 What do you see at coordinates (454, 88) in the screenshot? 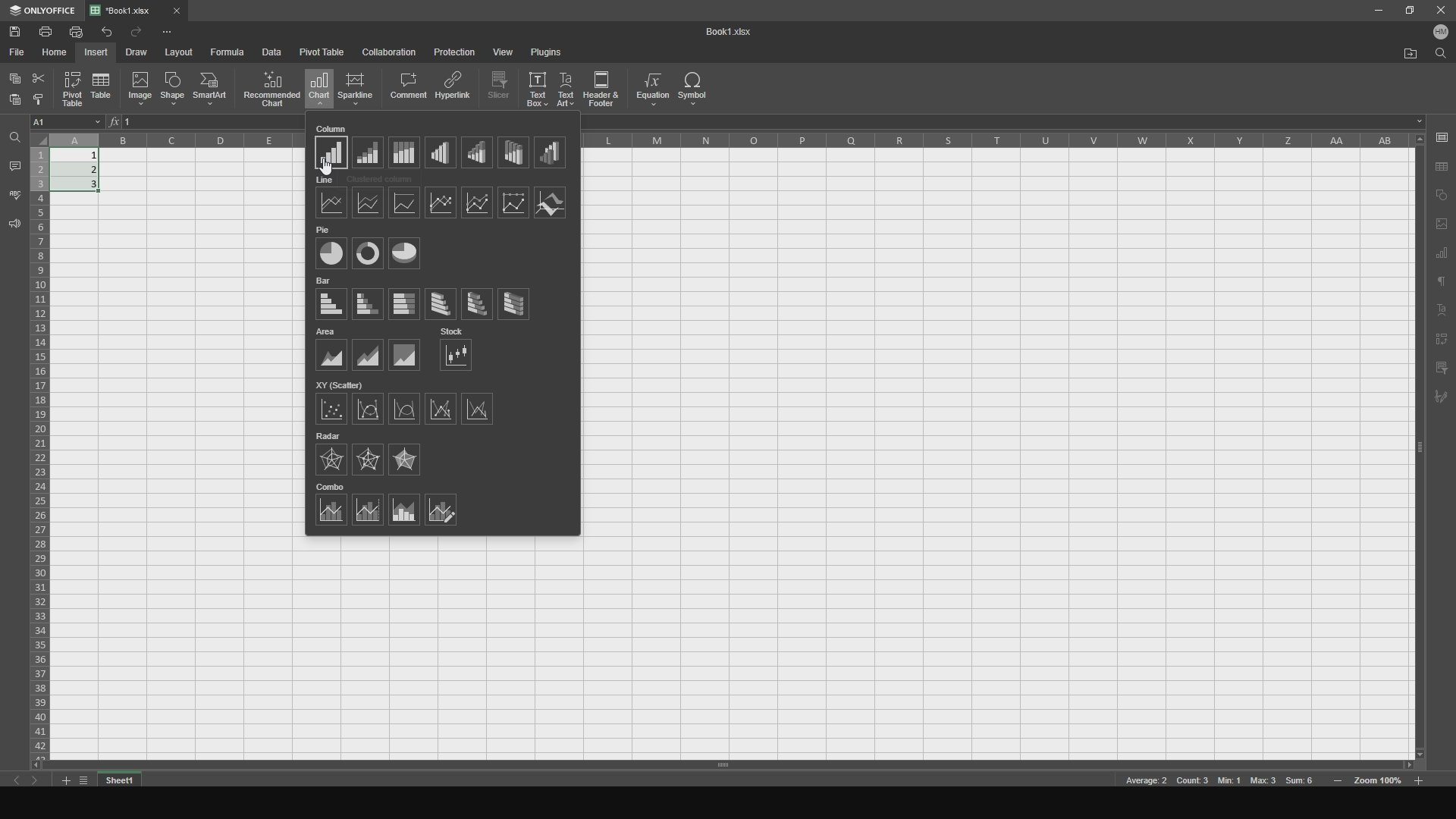
I see `hyperlink` at bounding box center [454, 88].